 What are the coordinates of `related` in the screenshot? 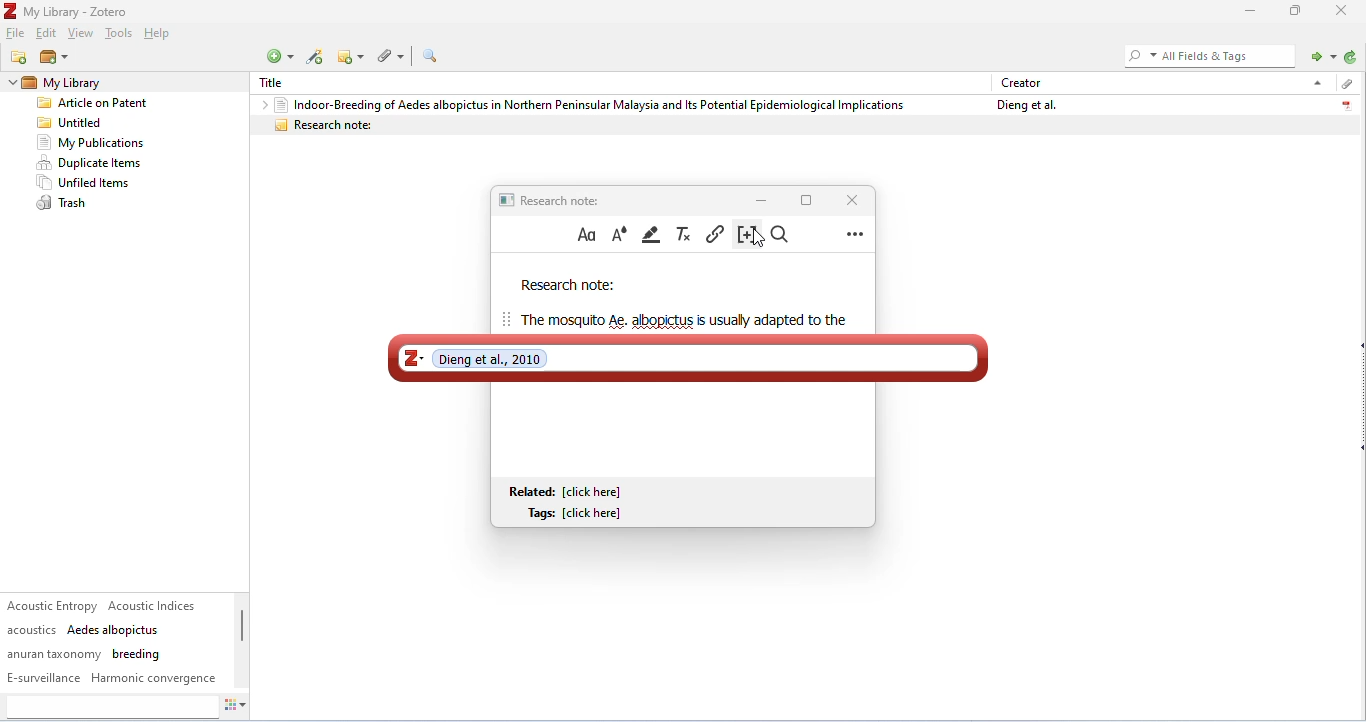 It's located at (569, 491).